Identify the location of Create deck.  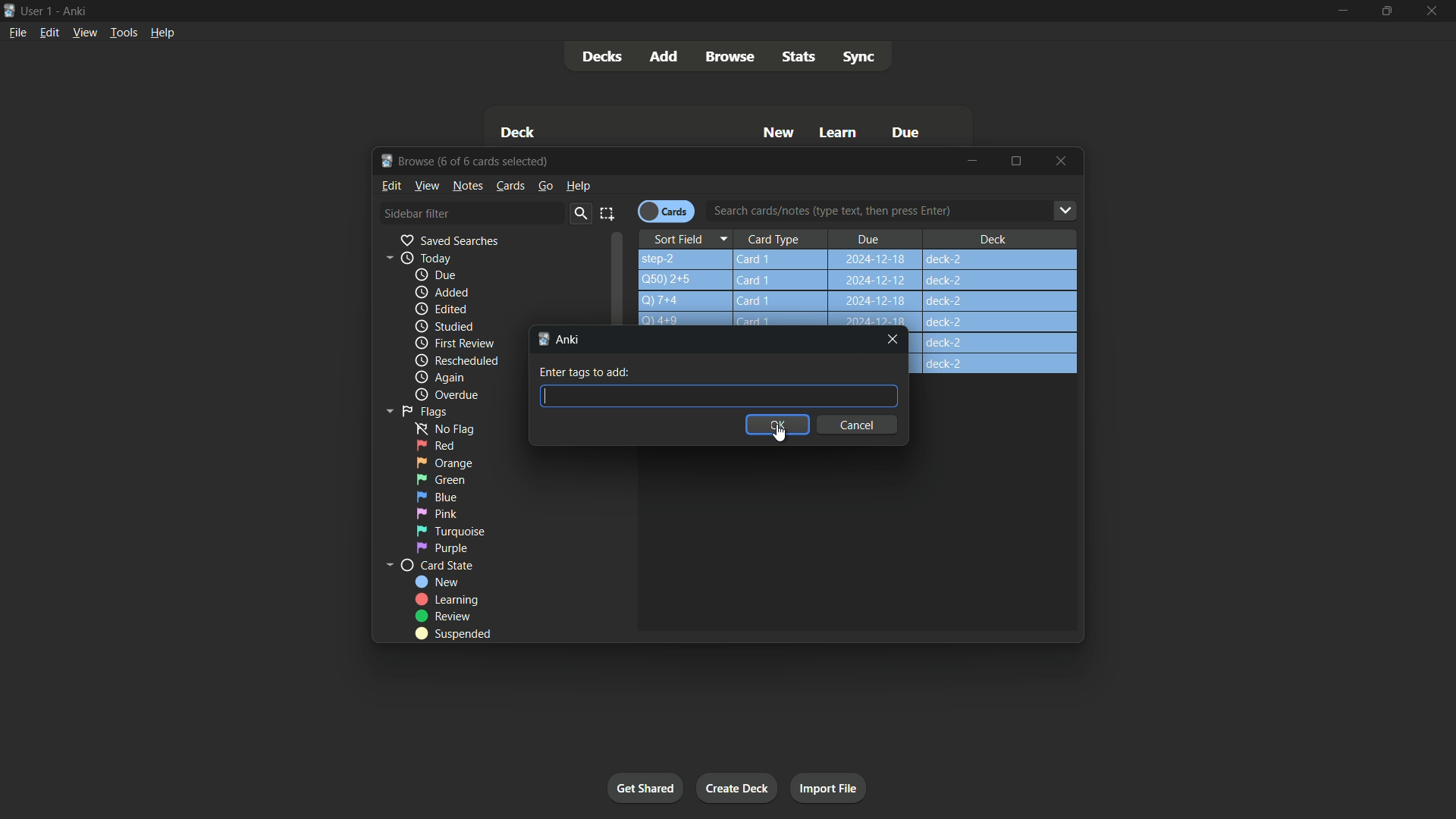
(738, 787).